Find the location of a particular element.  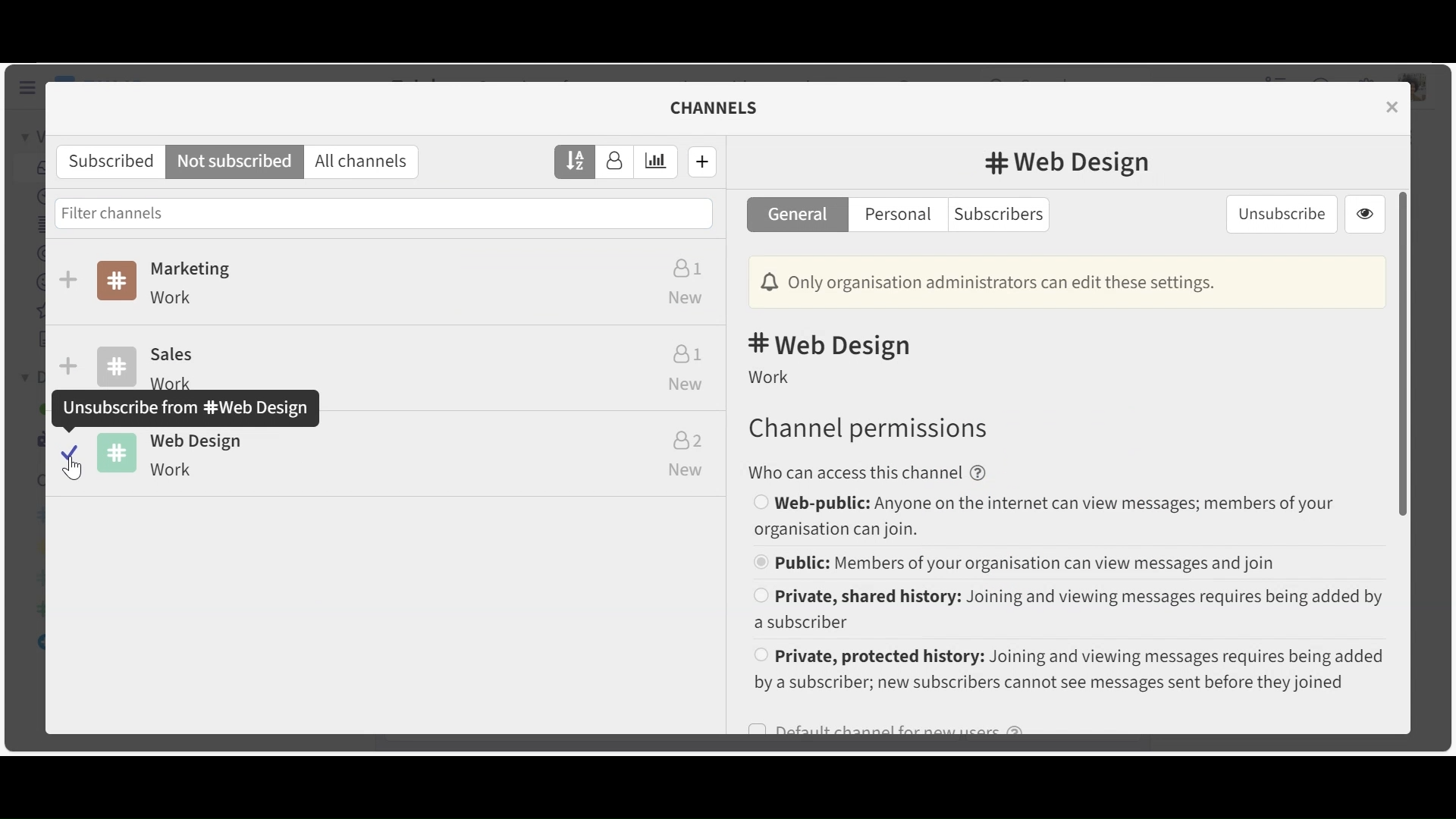

Subscribes is located at coordinates (107, 161).